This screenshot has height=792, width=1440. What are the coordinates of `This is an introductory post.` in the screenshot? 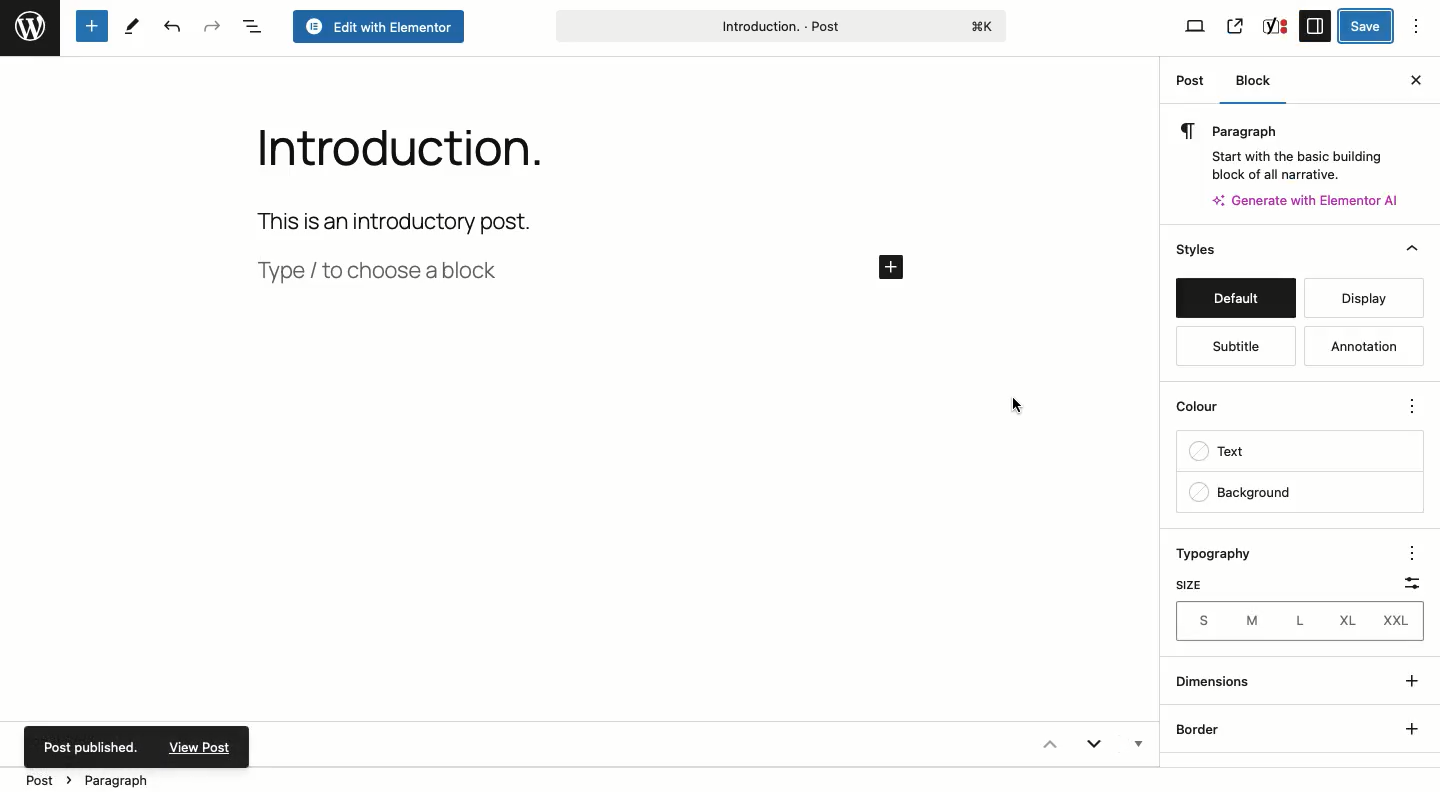 It's located at (407, 225).